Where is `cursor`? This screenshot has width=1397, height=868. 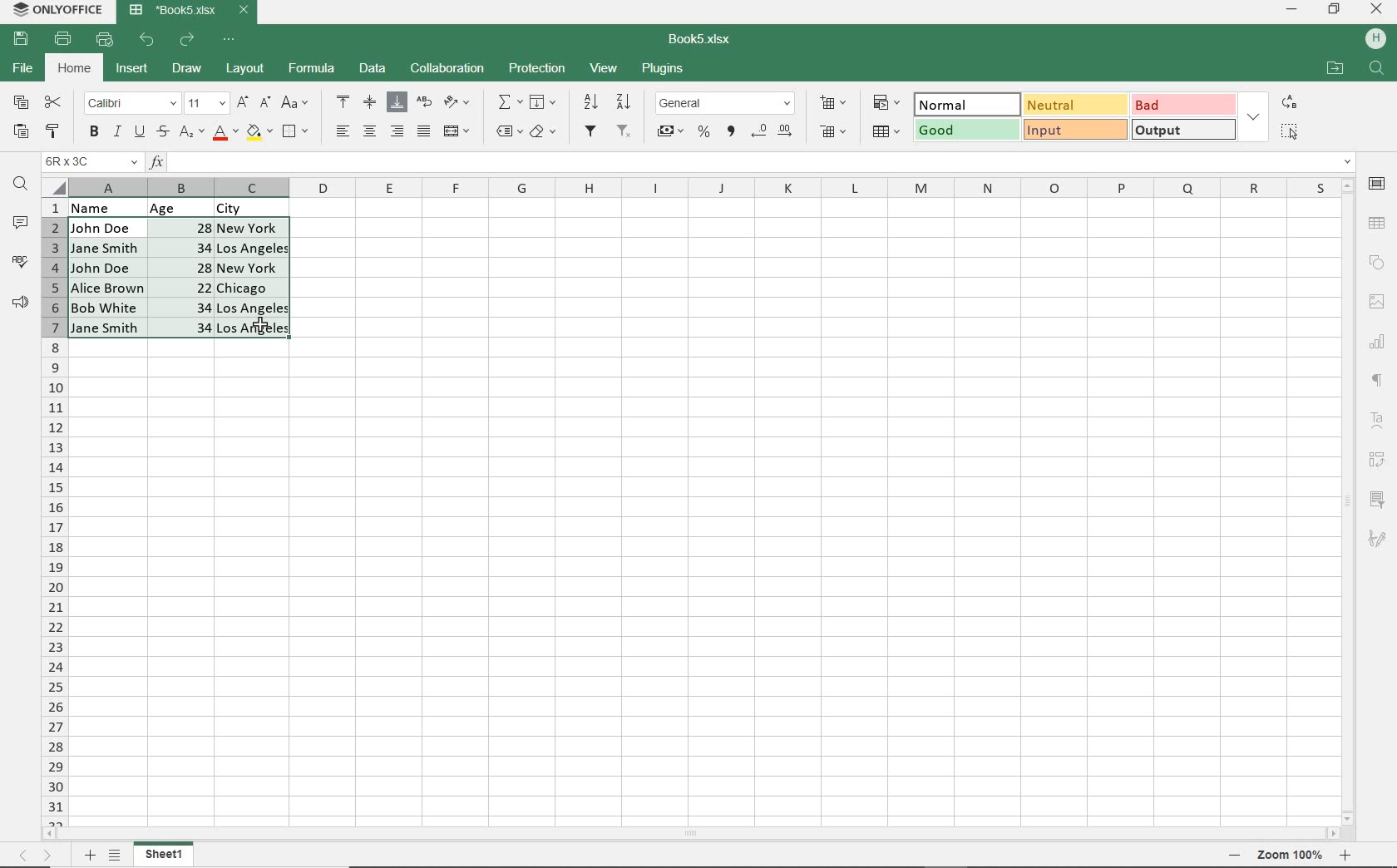
cursor is located at coordinates (258, 322).